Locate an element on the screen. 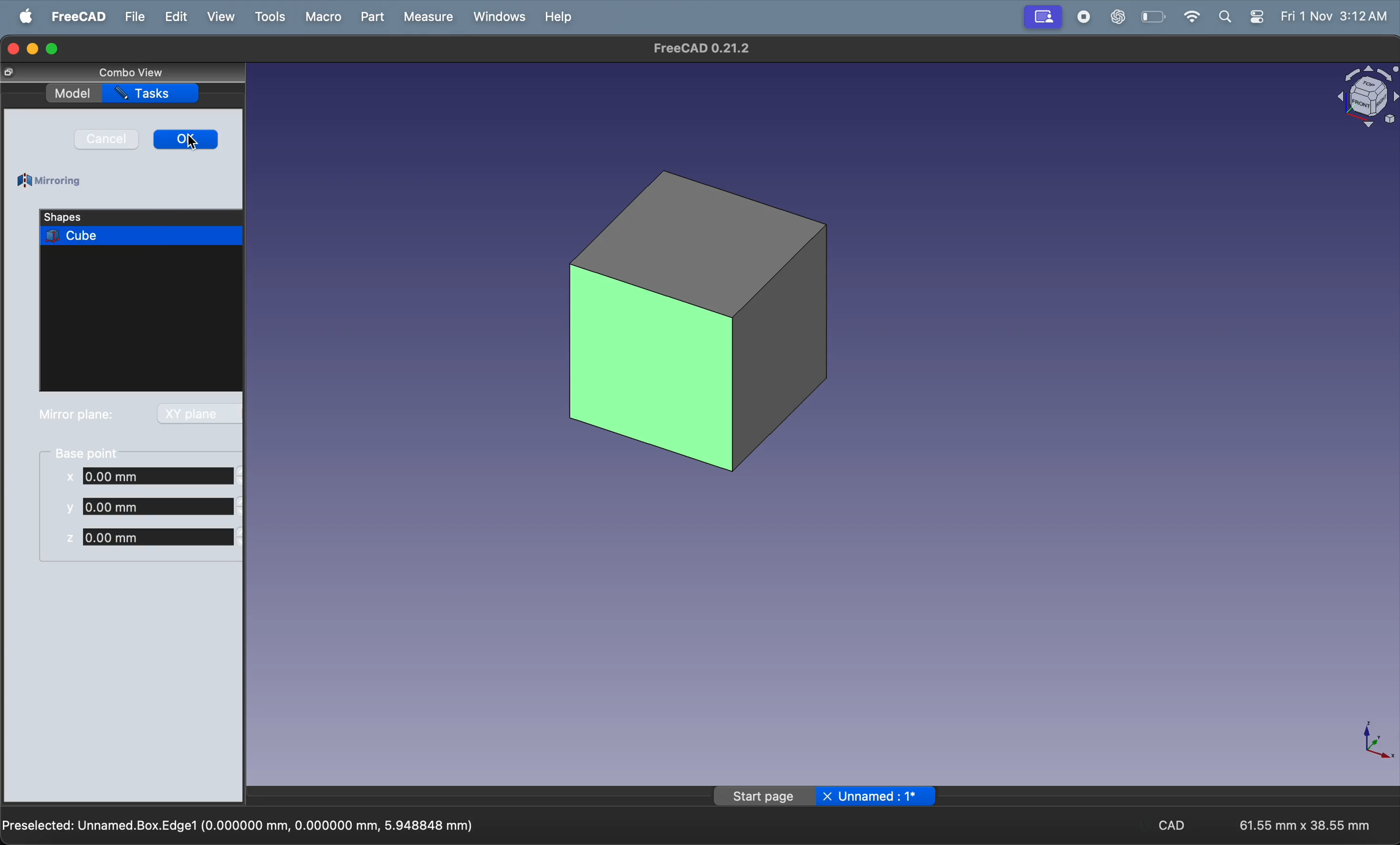 This screenshot has height=845, width=1400. marco is located at coordinates (323, 17).